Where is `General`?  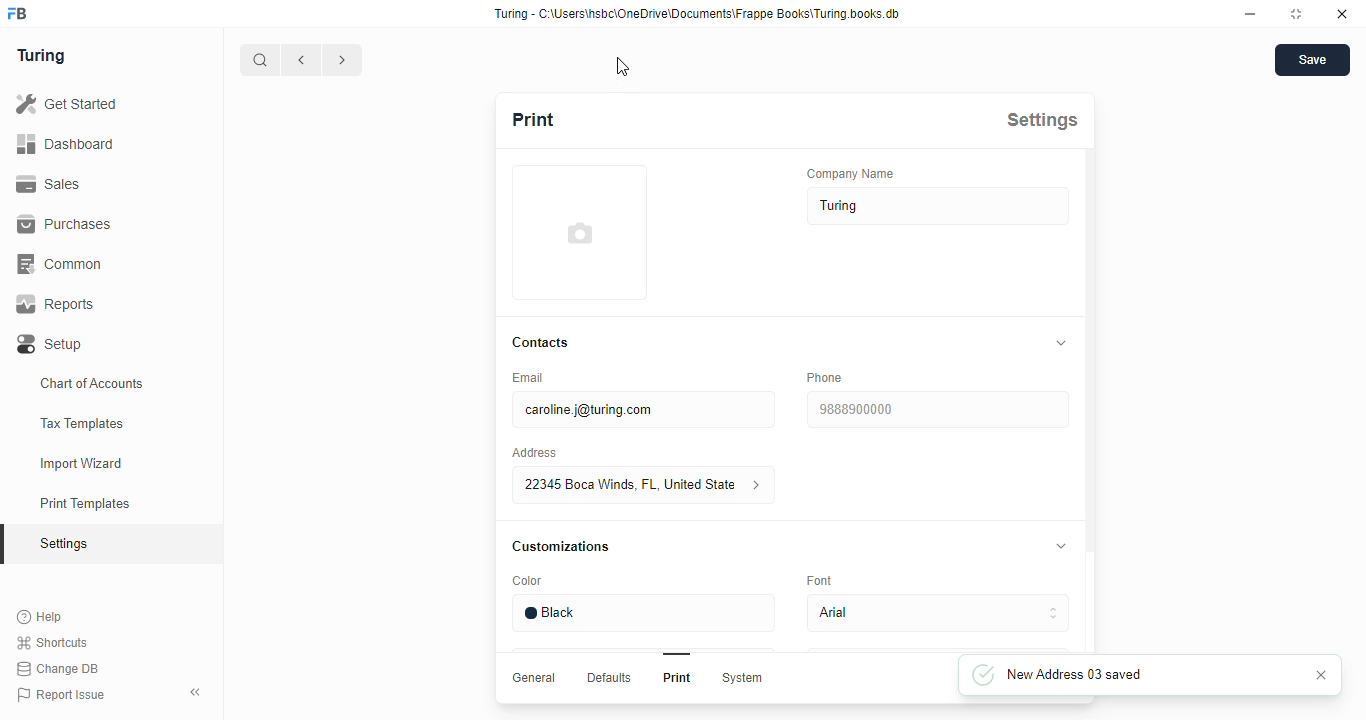 General is located at coordinates (536, 678).